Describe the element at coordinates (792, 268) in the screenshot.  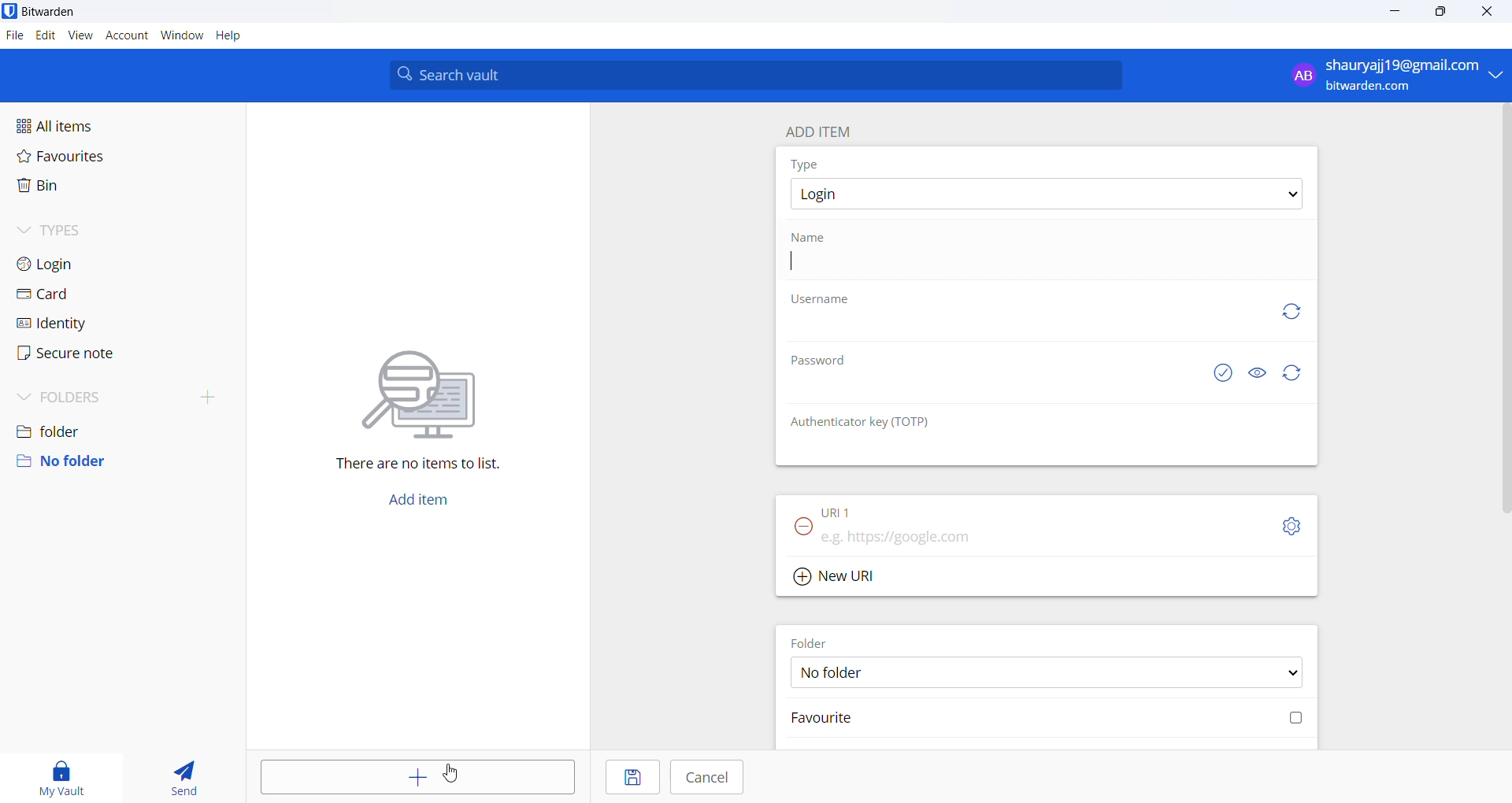
I see `text cursor` at that location.